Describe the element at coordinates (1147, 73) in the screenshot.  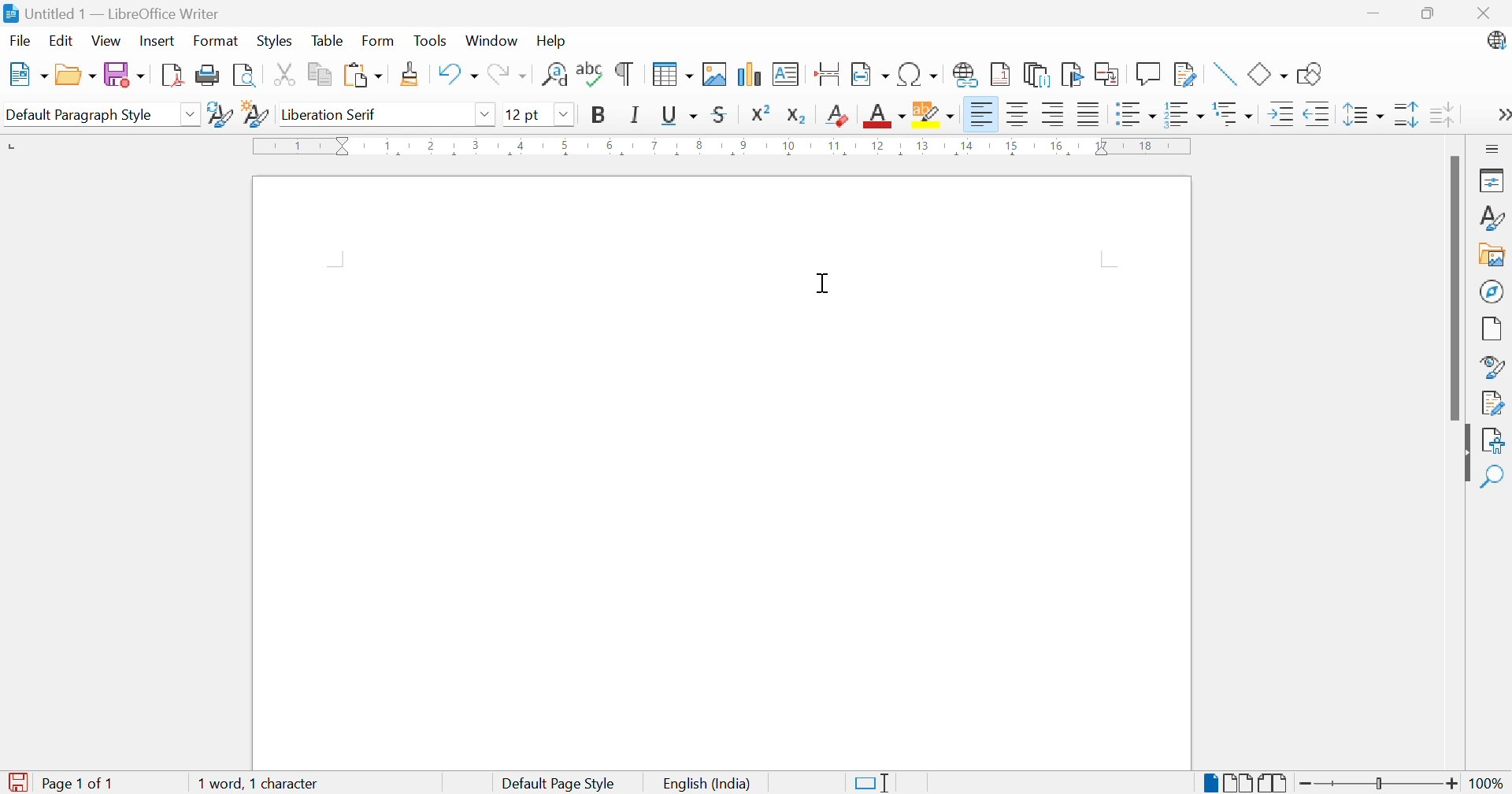
I see `Insert Comment` at that location.